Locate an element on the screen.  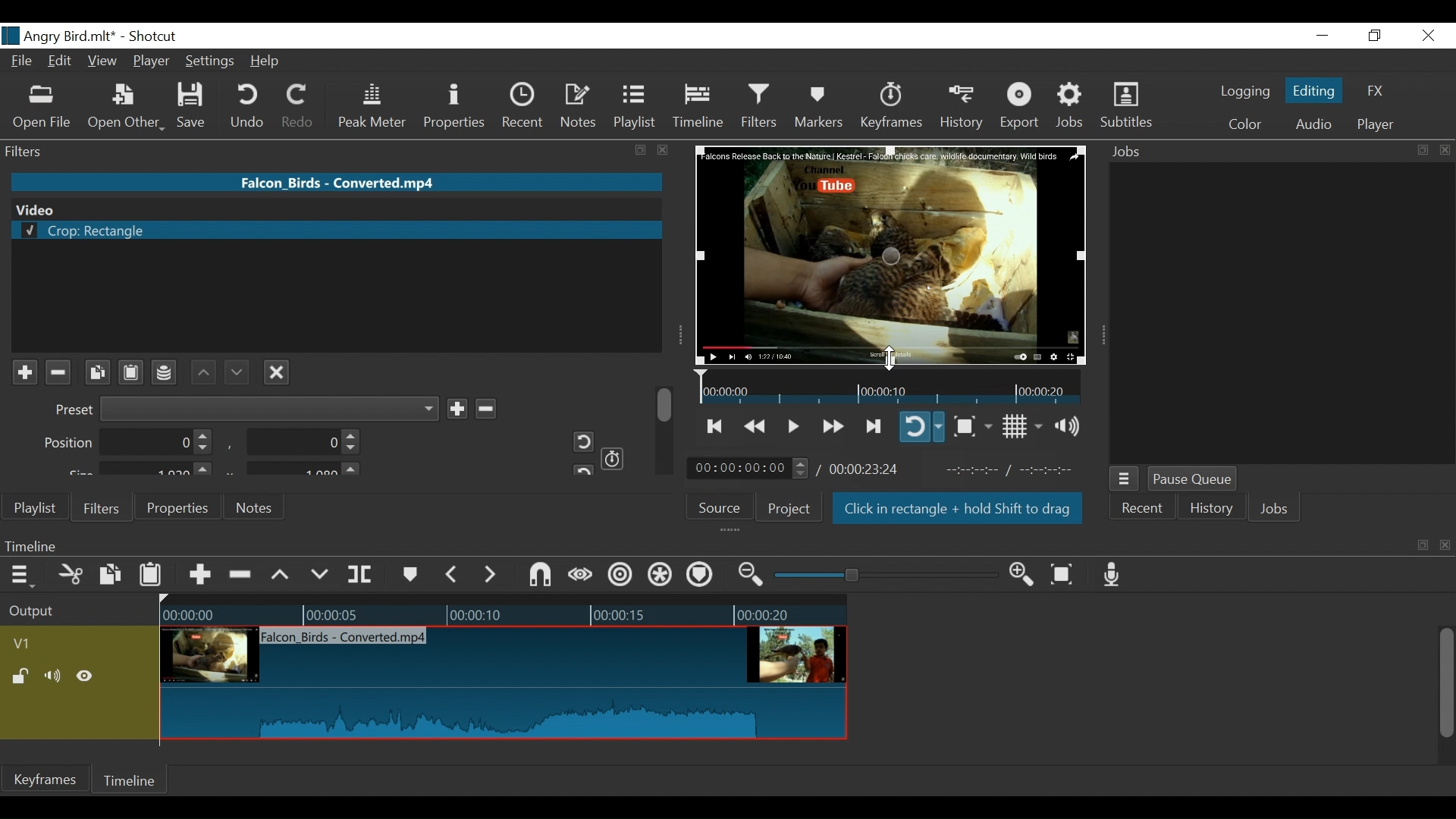
Timeline is located at coordinates (503, 611).